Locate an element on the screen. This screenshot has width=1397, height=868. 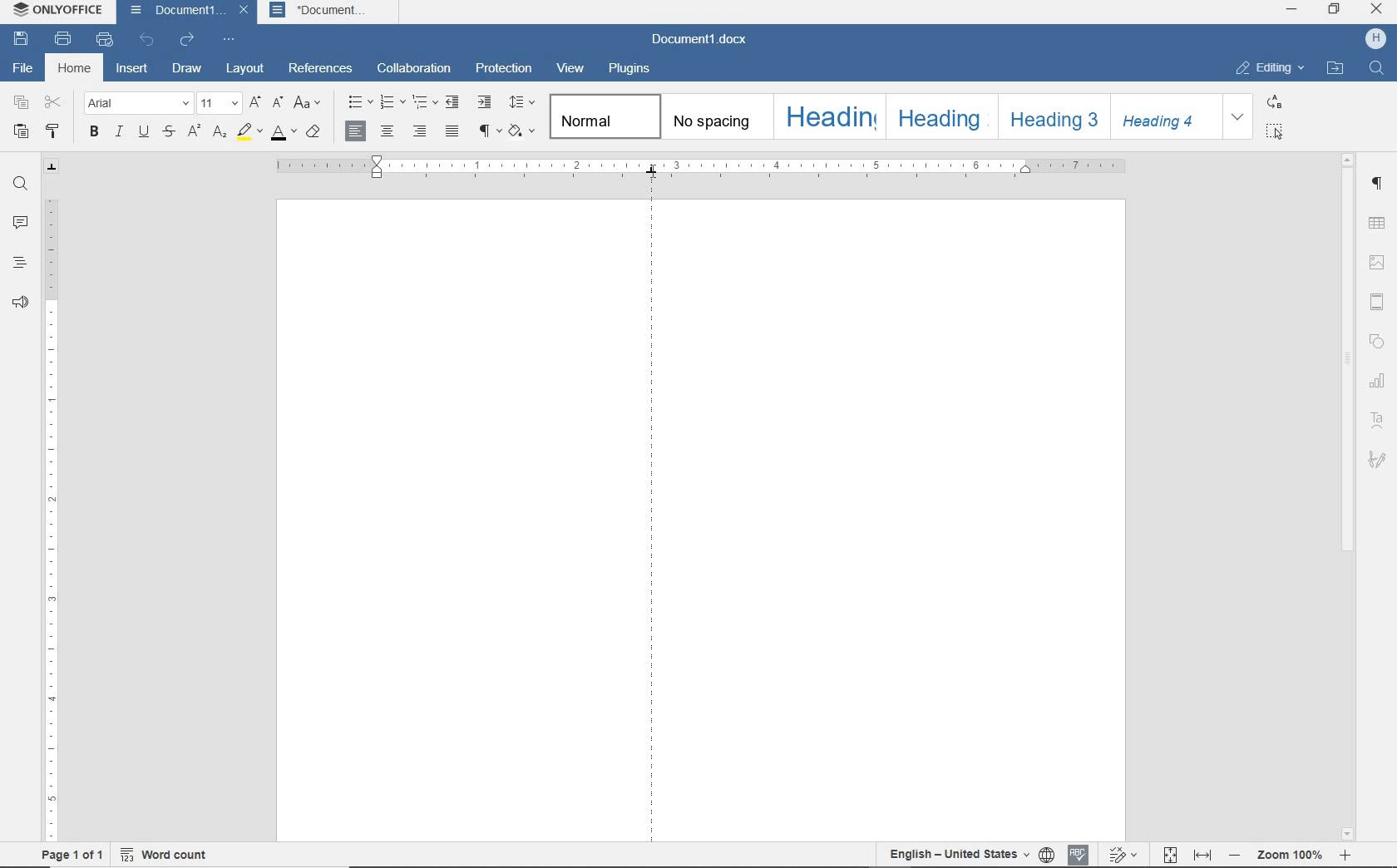
IMAGE is located at coordinates (1377, 263).